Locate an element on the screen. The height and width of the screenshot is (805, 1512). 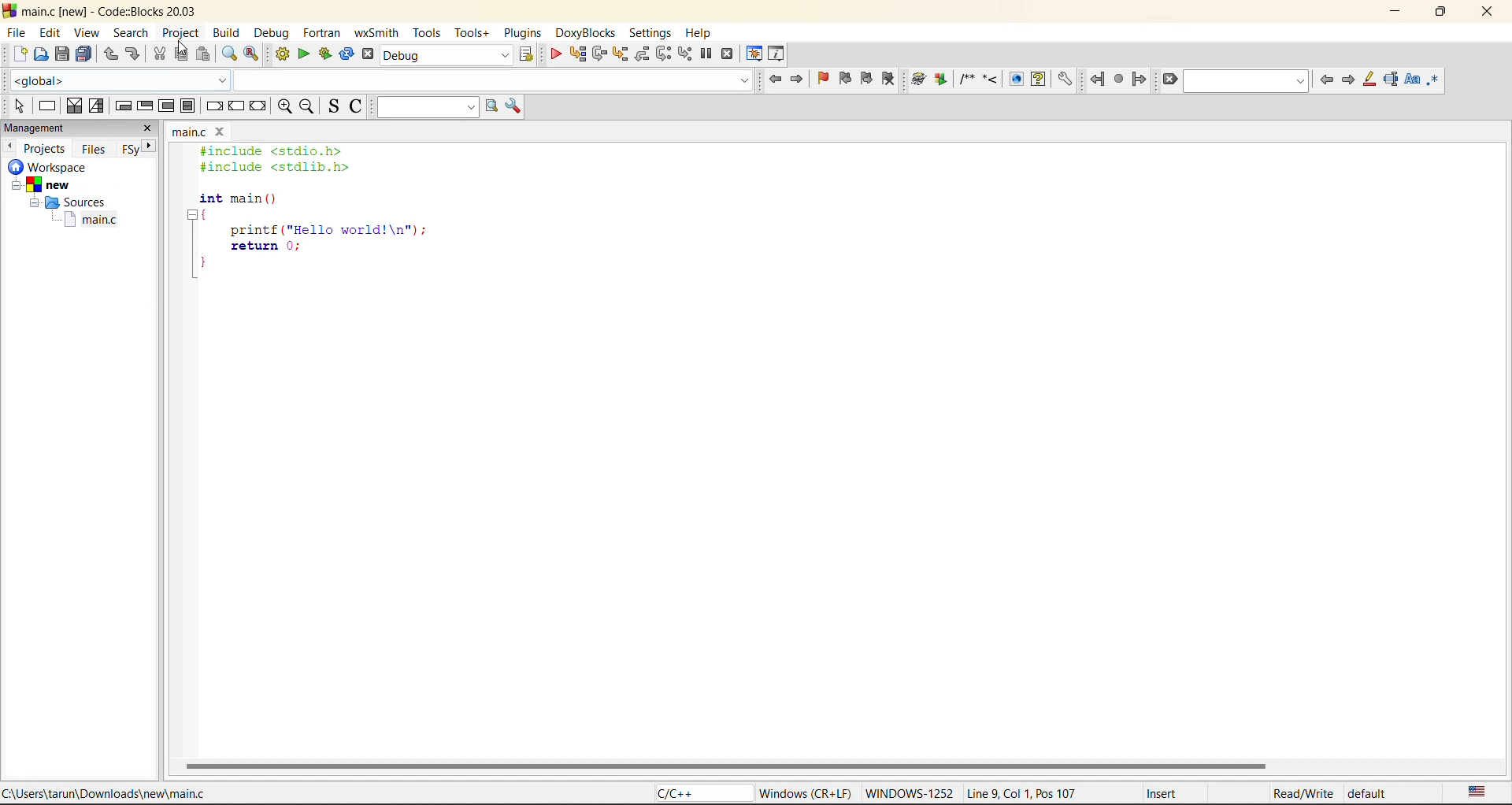
toggle comments is located at coordinates (355, 108).